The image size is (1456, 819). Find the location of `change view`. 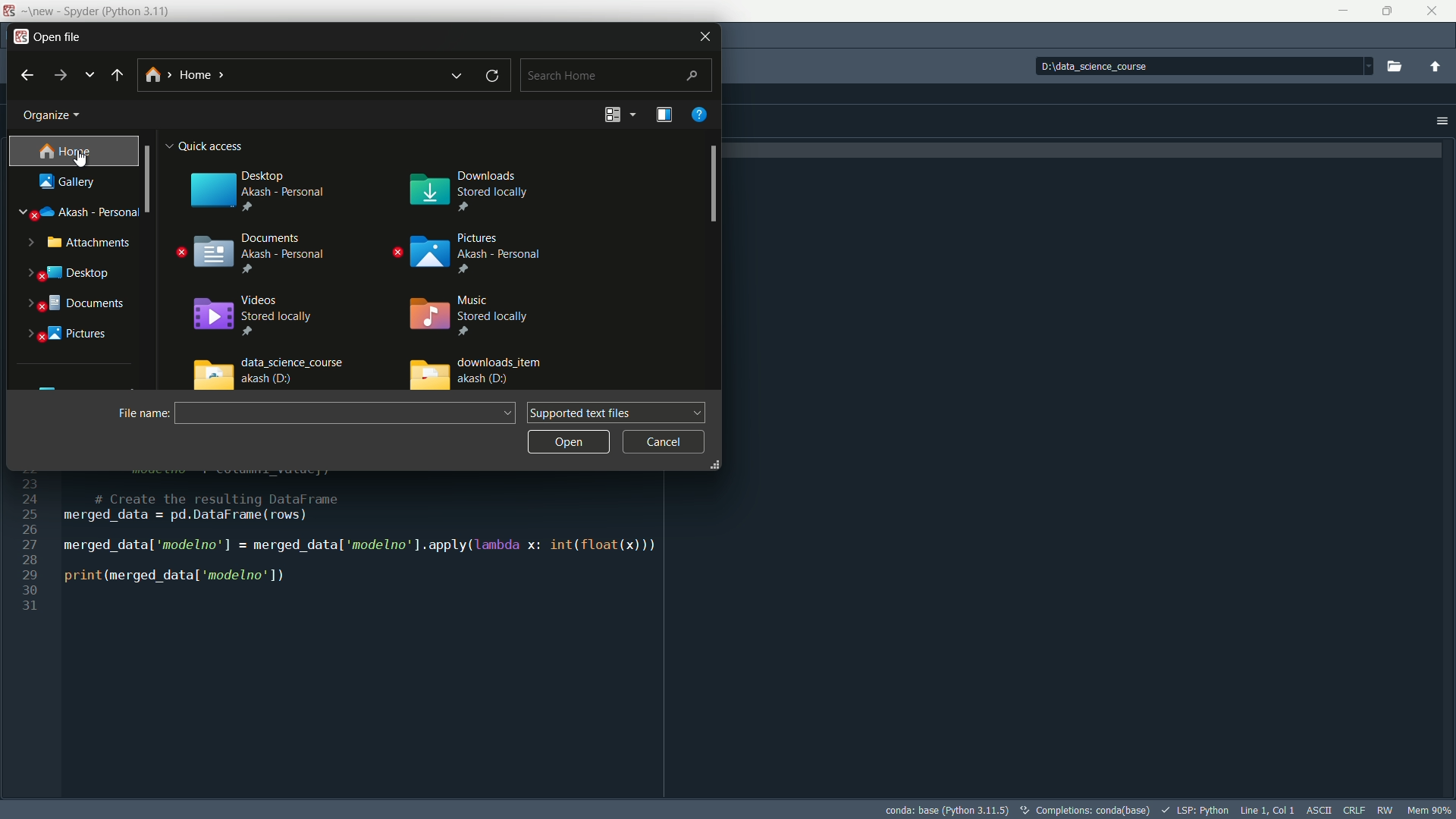

change view is located at coordinates (612, 115).